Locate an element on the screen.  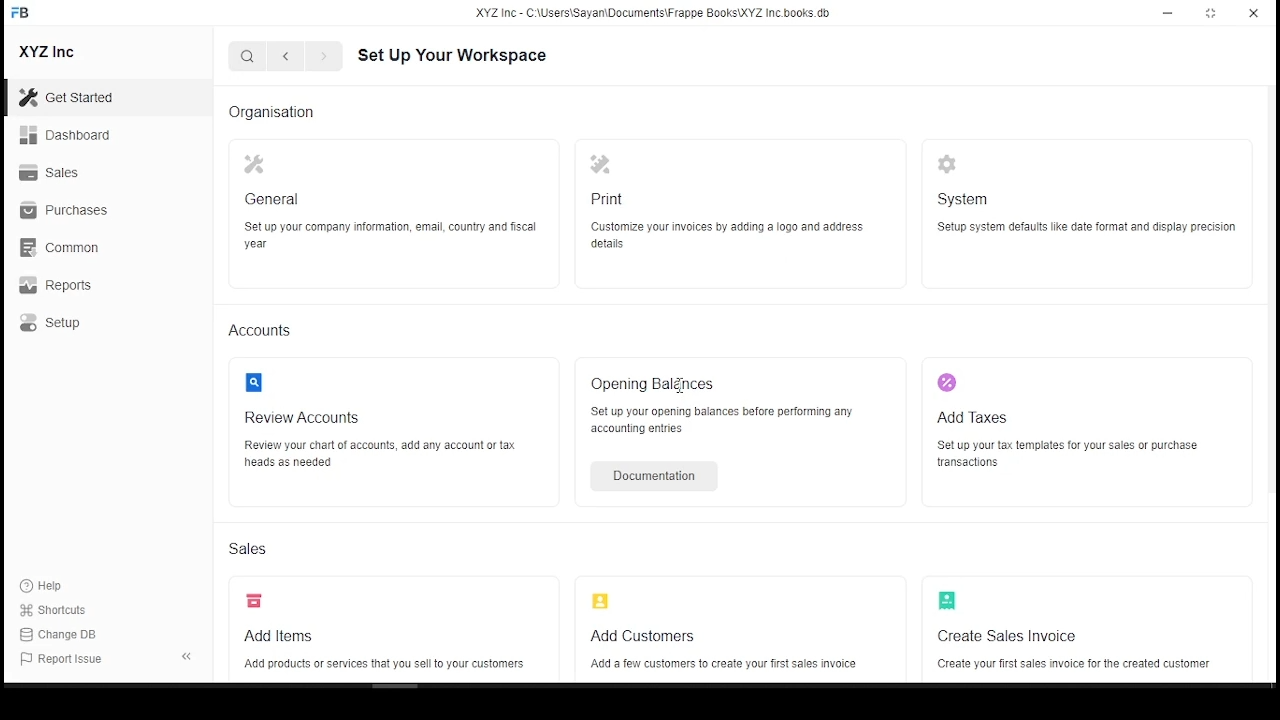
opening balance is located at coordinates (655, 383).